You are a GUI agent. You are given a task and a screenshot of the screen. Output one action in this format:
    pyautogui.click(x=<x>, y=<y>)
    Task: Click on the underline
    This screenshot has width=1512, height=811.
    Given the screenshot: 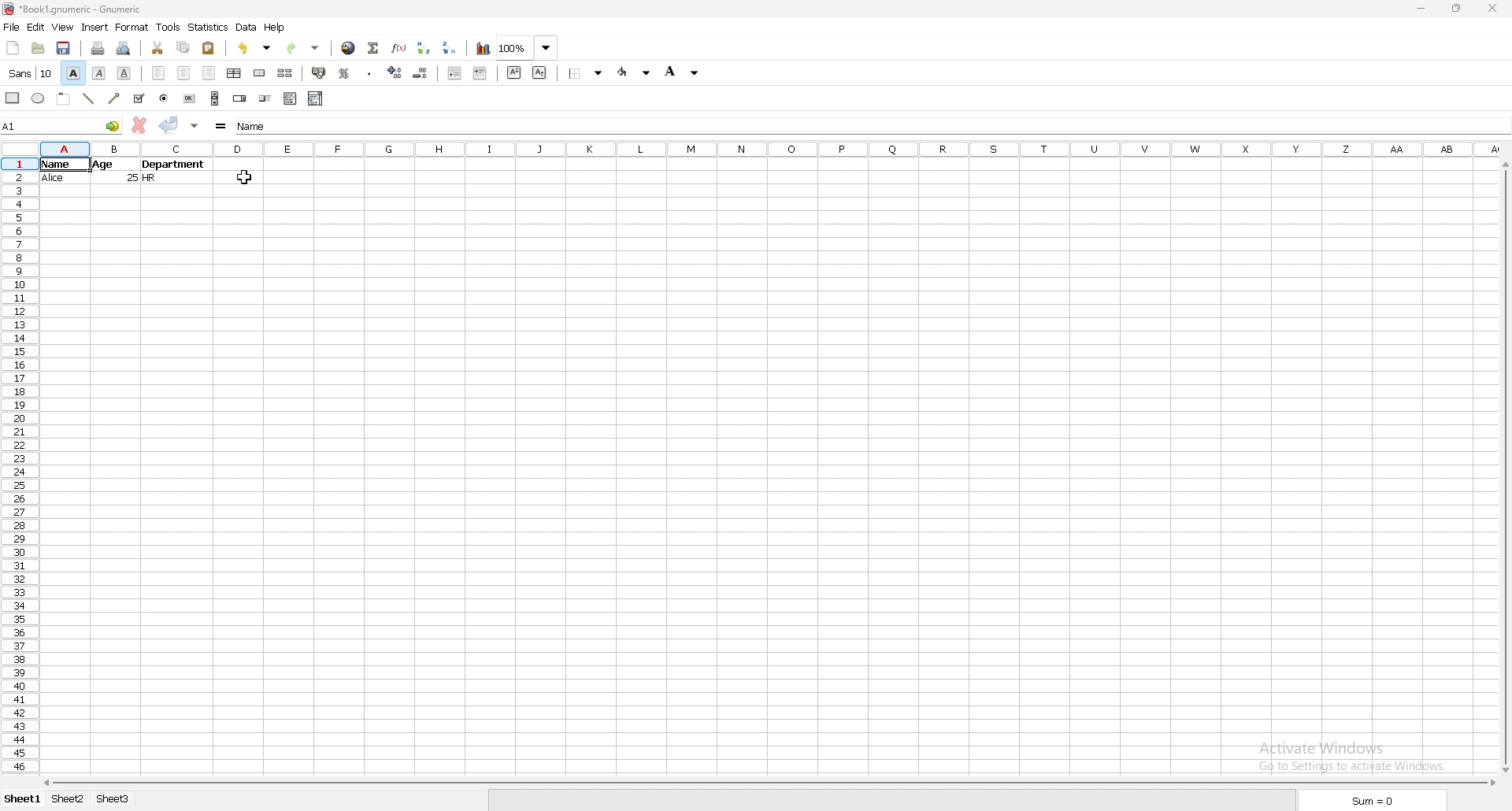 What is the action you would take?
    pyautogui.click(x=125, y=73)
    